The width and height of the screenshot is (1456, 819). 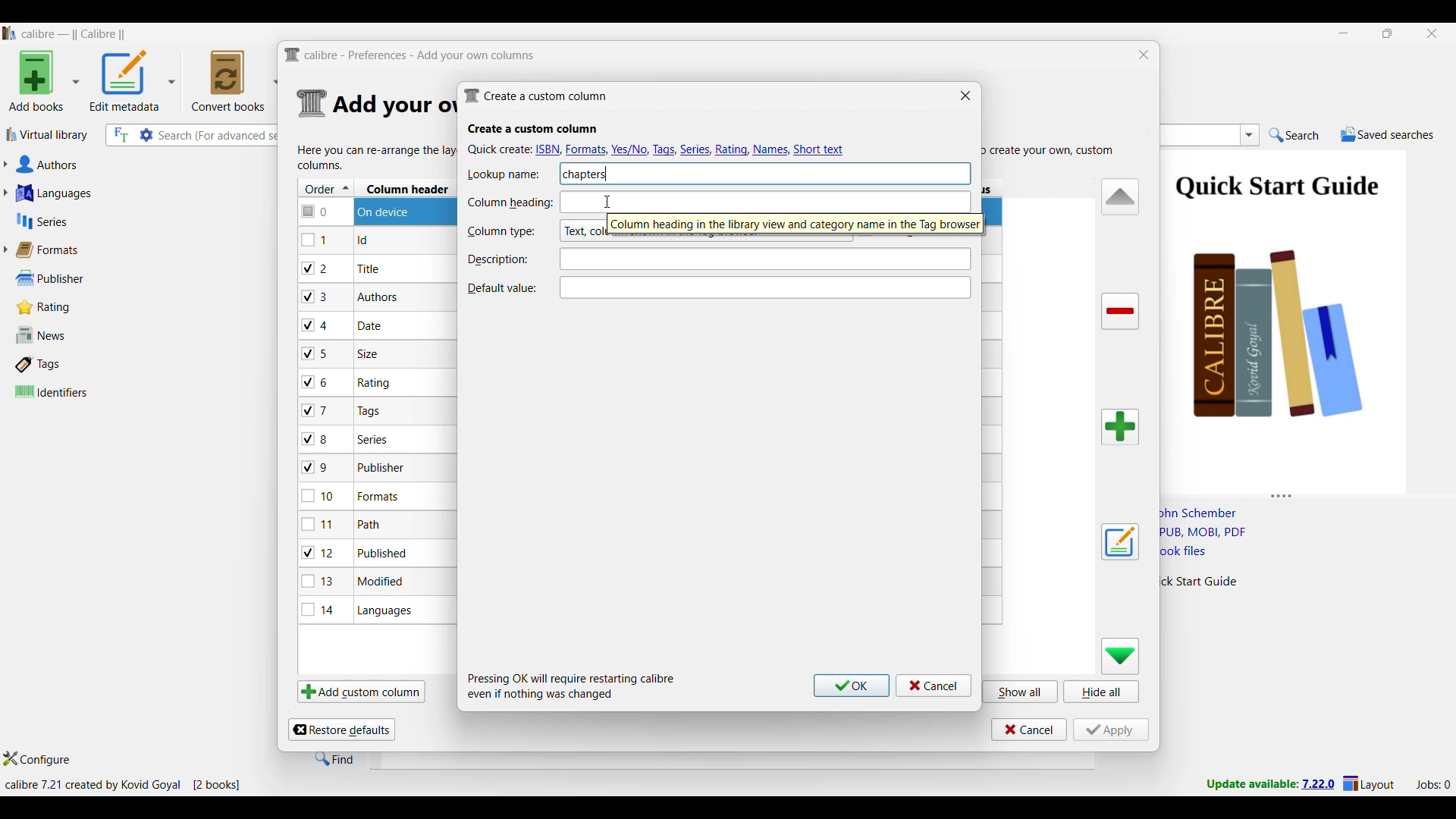 I want to click on Search the full text of all books, so click(x=120, y=135).